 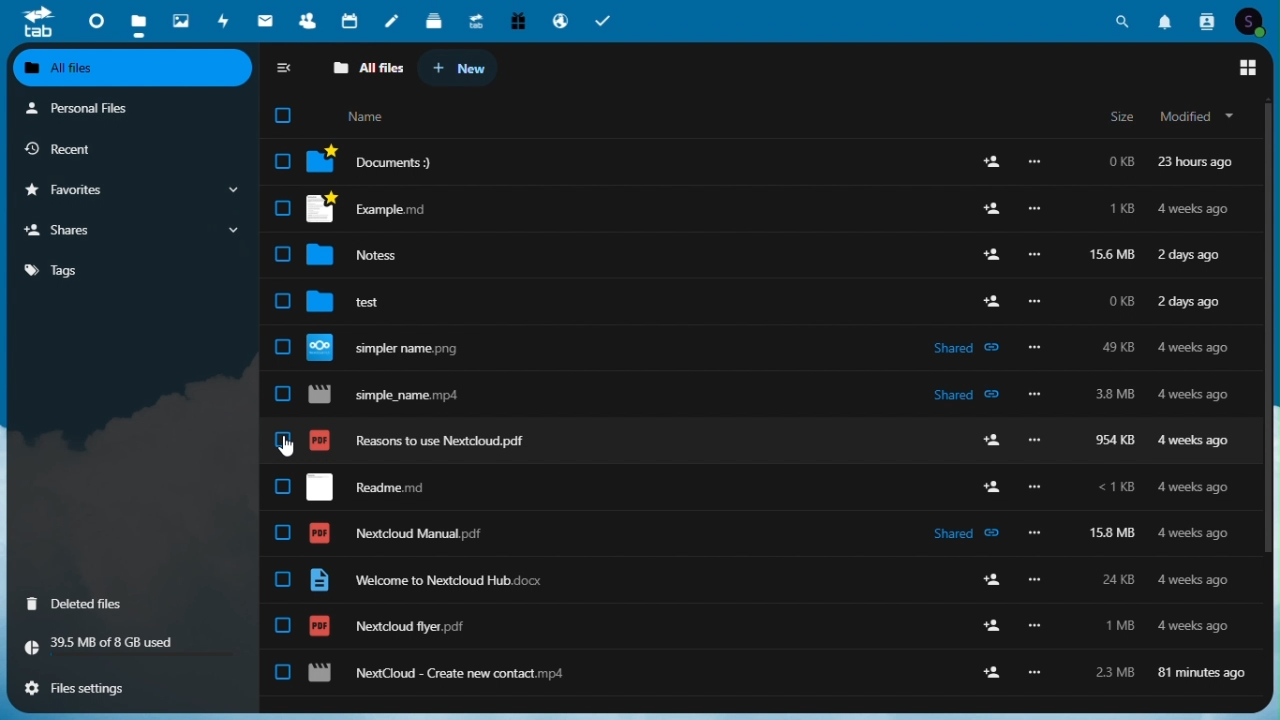 What do you see at coordinates (131, 191) in the screenshot?
I see `favourites` at bounding box center [131, 191].